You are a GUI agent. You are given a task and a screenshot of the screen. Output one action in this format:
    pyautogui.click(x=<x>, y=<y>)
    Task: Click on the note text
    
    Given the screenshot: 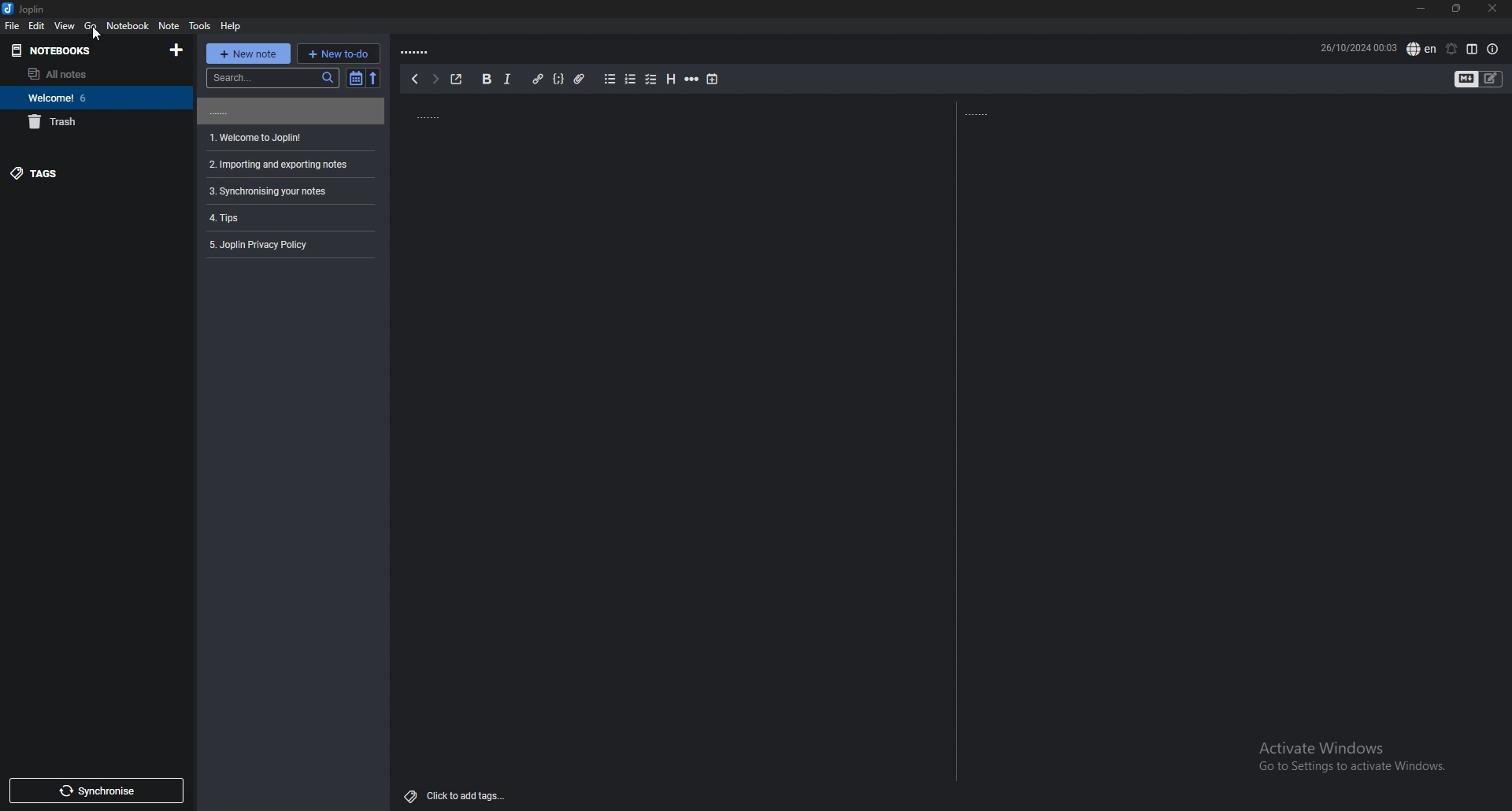 What is the action you would take?
    pyautogui.click(x=999, y=111)
    